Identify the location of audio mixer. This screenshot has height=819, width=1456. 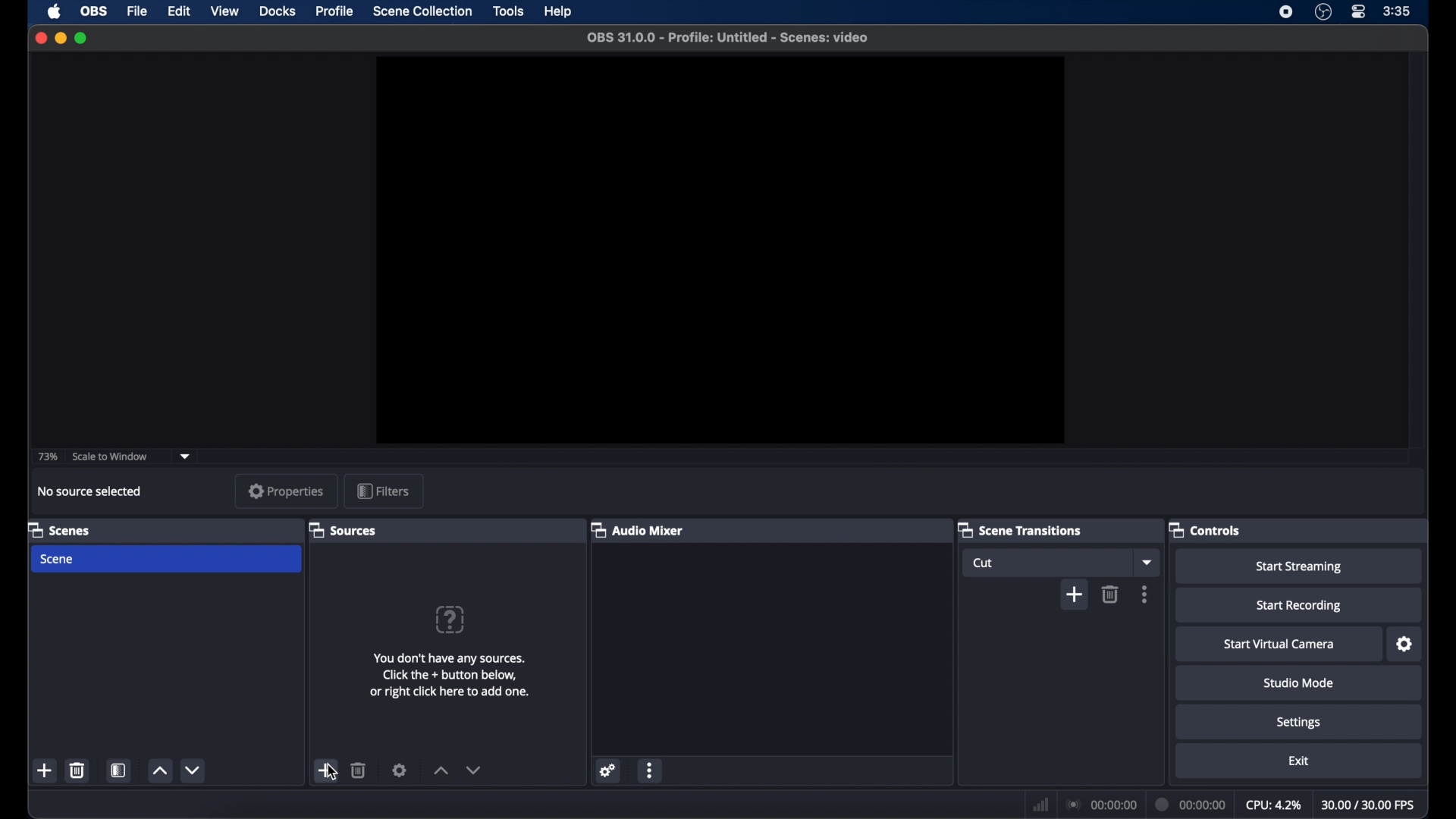
(636, 529).